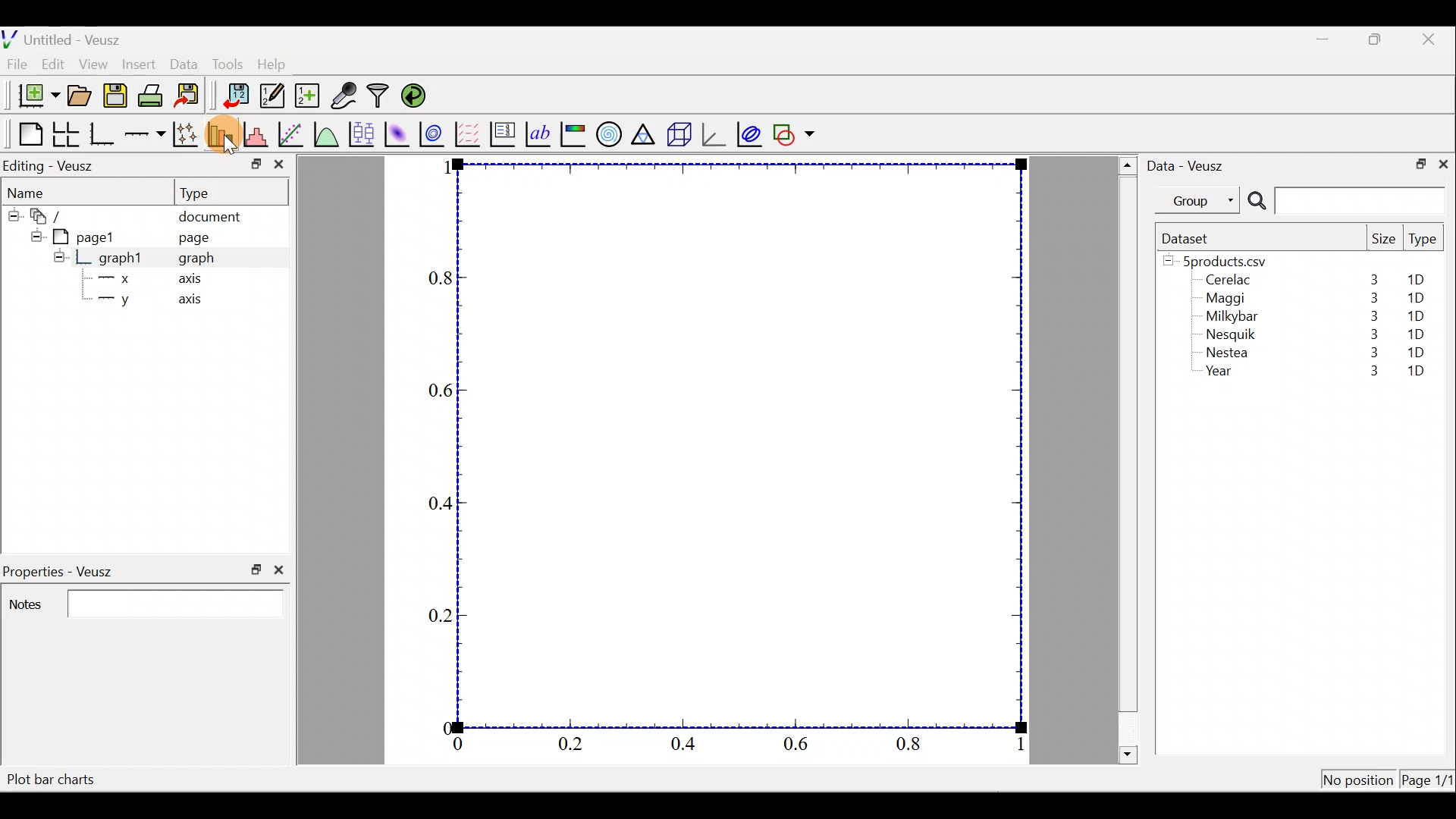  Describe the element at coordinates (1344, 201) in the screenshot. I see `Search bar` at that location.